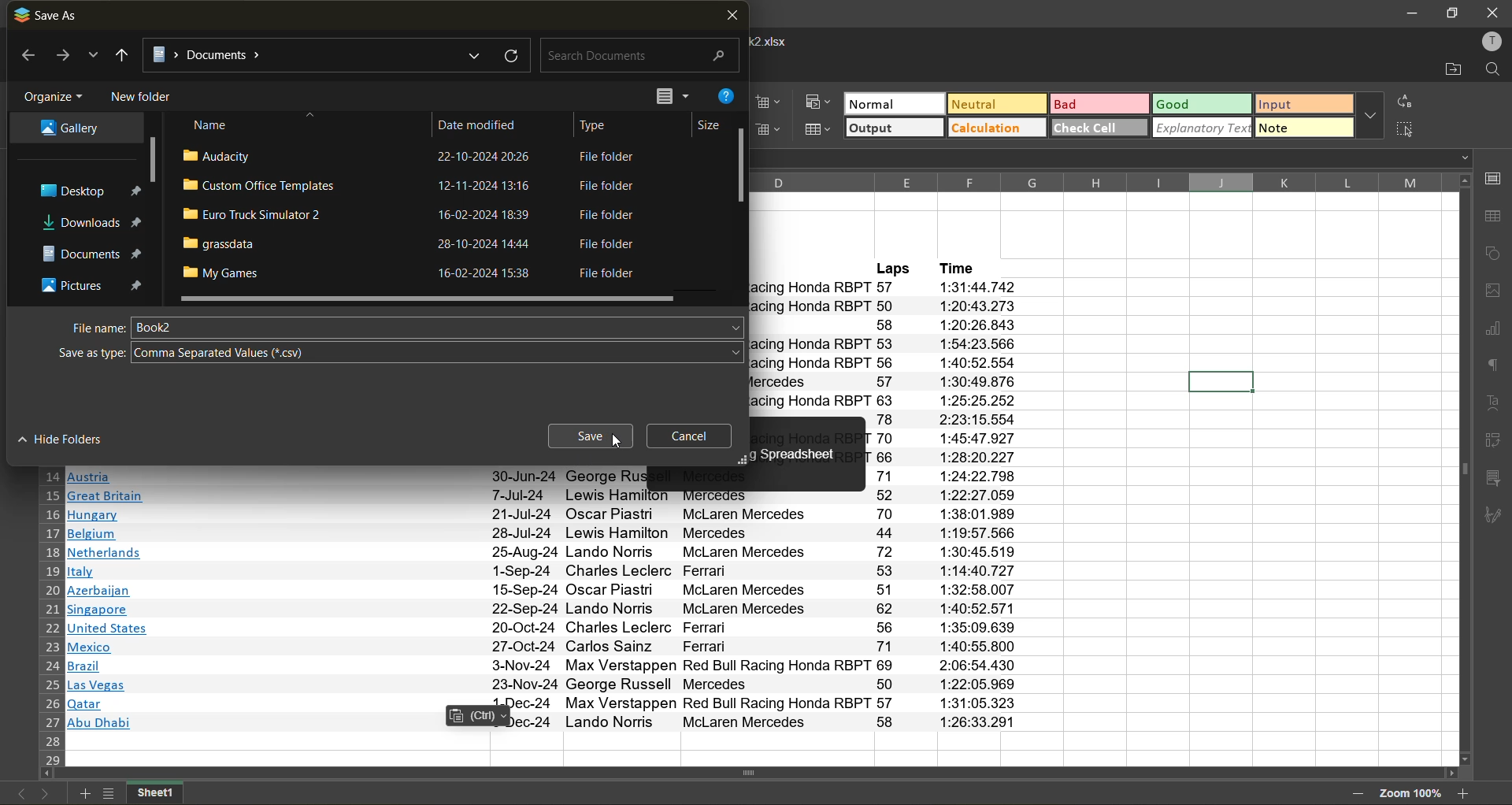  Describe the element at coordinates (543, 553) in the screenshot. I see `text info` at that location.